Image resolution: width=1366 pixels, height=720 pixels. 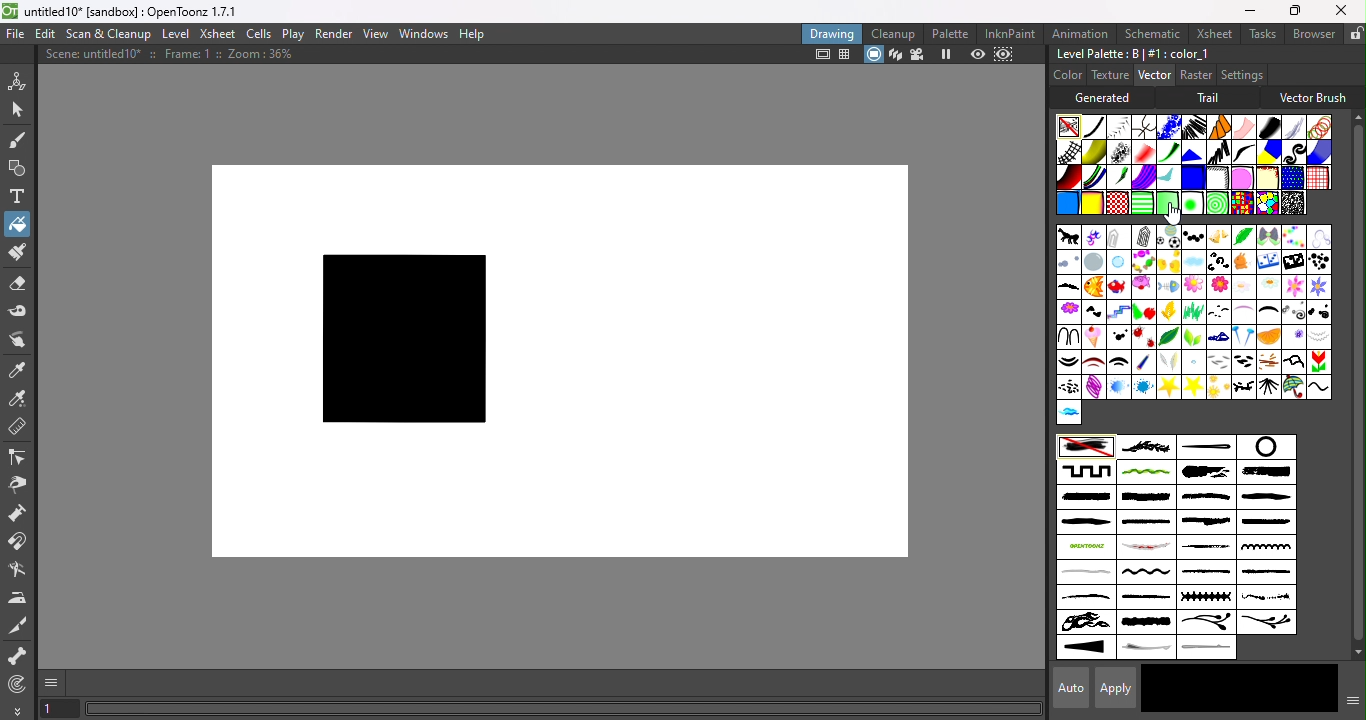 What do you see at coordinates (1318, 262) in the screenshot?
I see `Dots` at bounding box center [1318, 262].